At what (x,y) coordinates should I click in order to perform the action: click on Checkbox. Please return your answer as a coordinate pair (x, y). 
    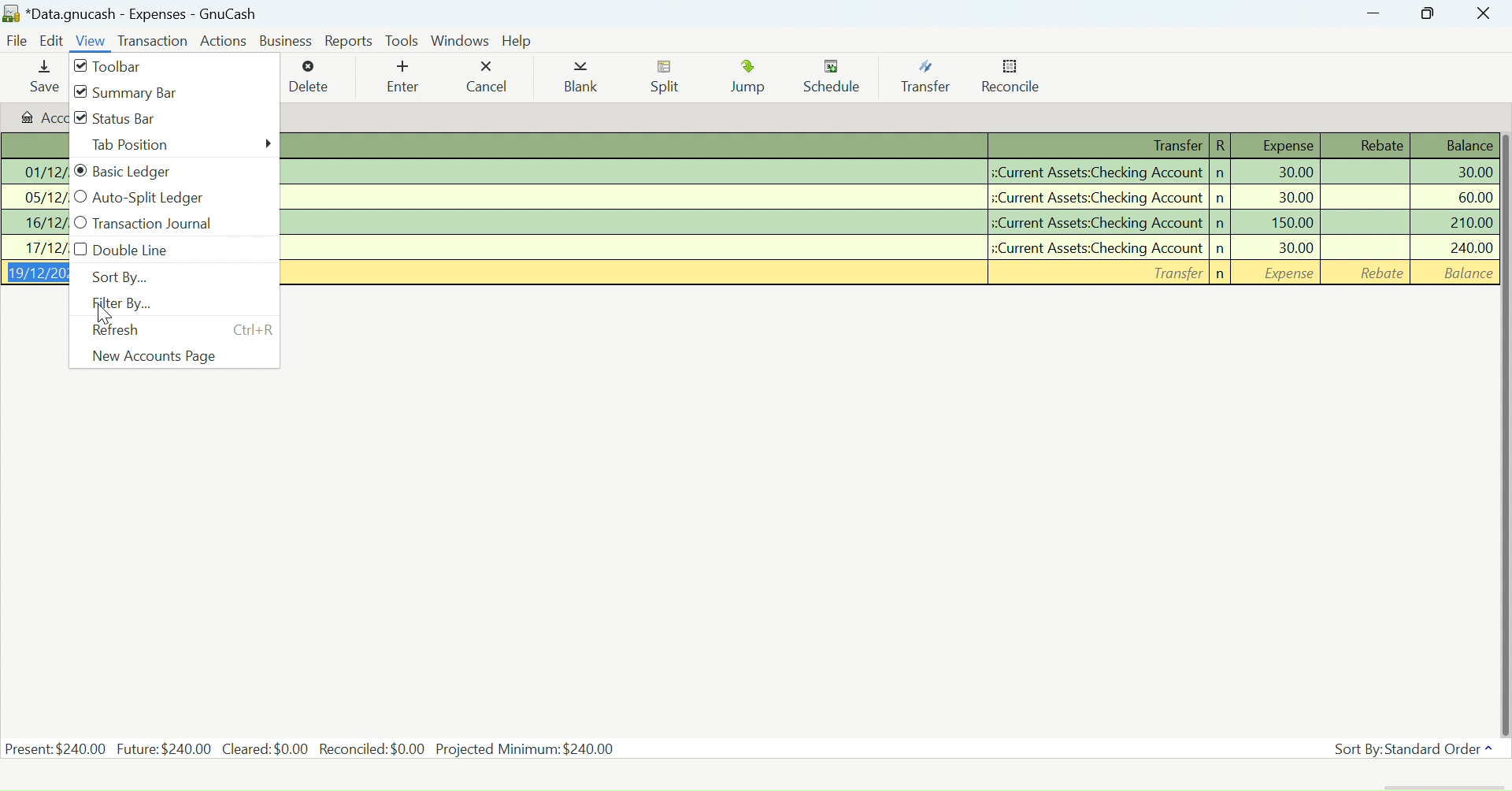
    Looking at the image, I should click on (80, 66).